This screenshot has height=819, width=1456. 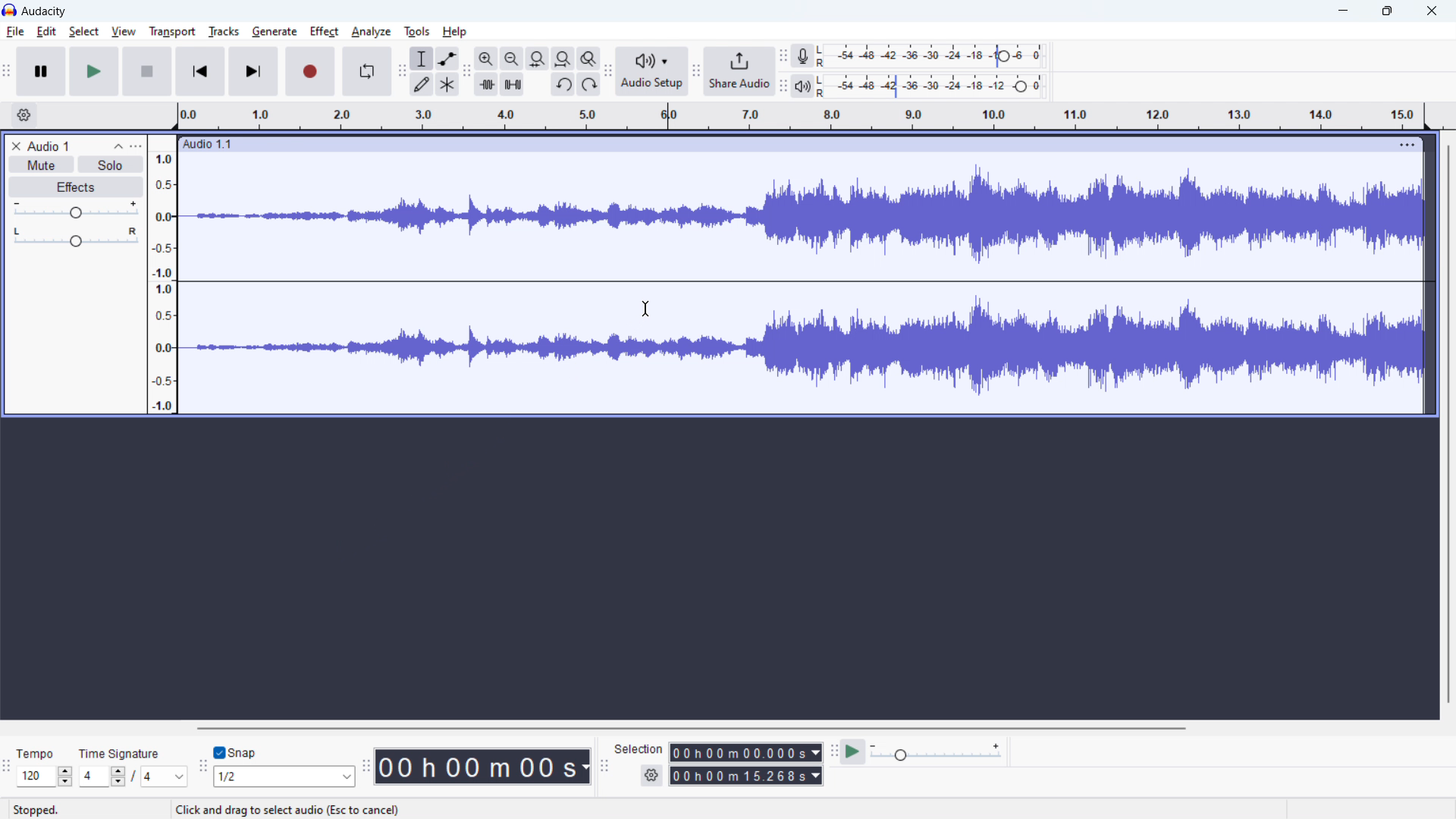 I want to click on multi tool, so click(x=447, y=85).